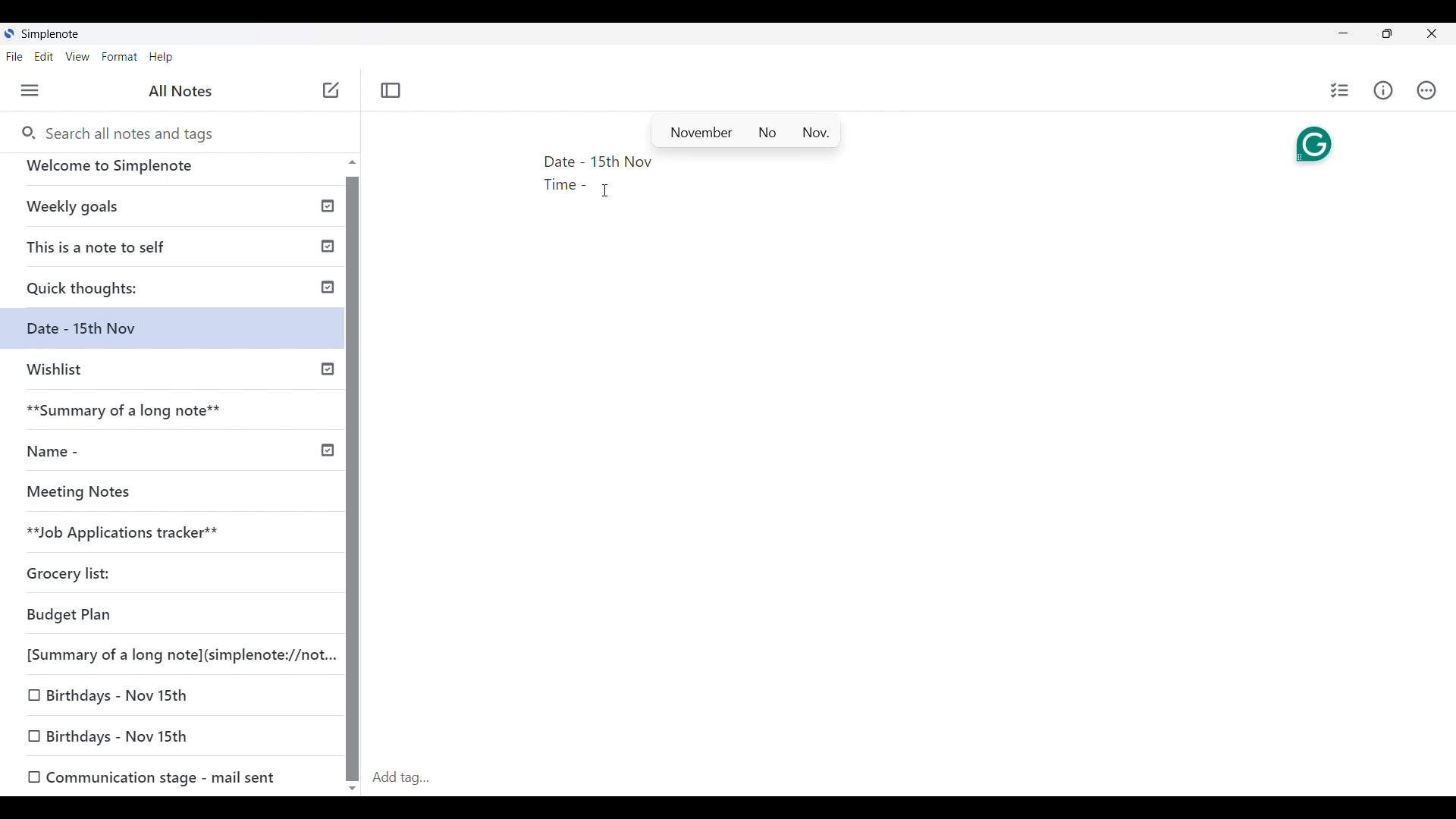 This screenshot has width=1456, height=819. I want to click on File menu, so click(14, 56).